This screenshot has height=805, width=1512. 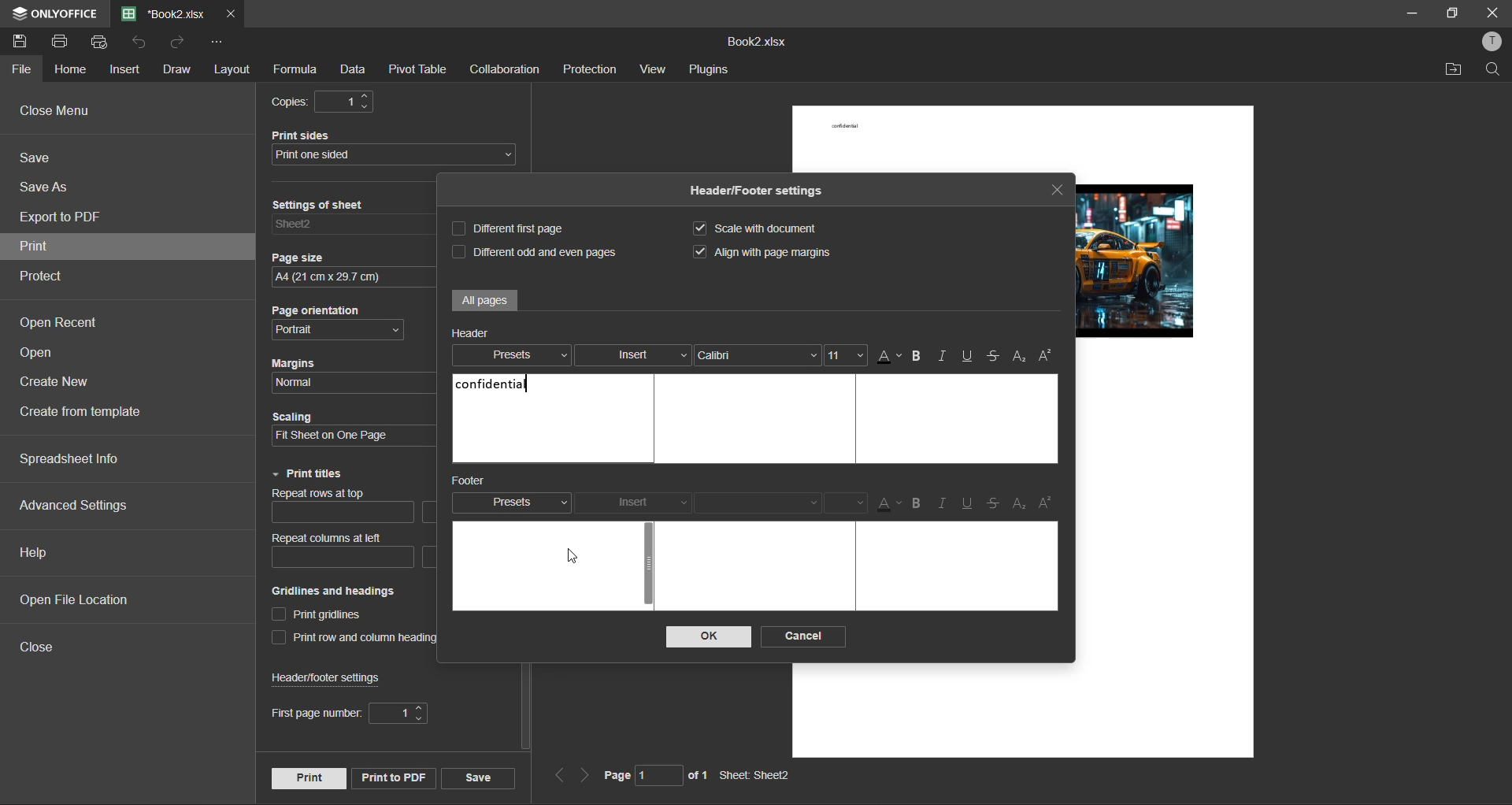 I want to click on create new, so click(x=61, y=382).